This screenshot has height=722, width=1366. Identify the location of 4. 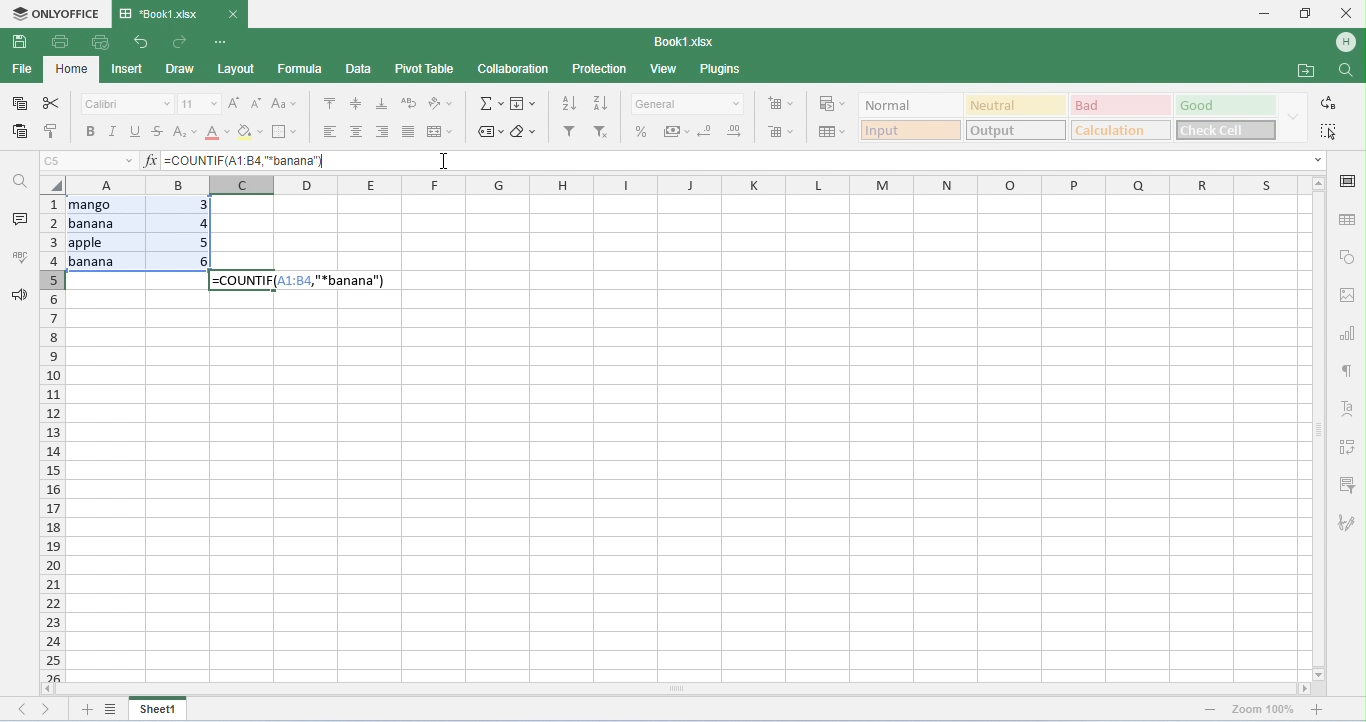
(197, 223).